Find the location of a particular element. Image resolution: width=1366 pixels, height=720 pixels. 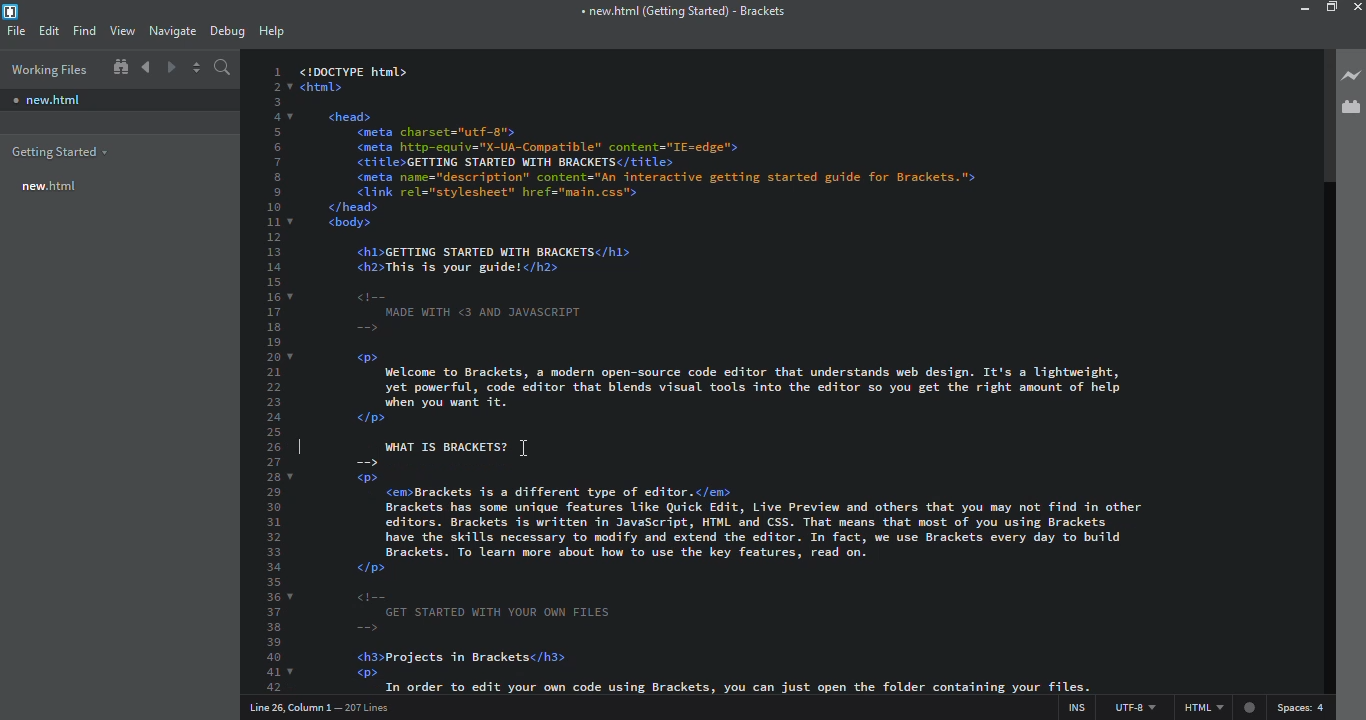

ins is located at coordinates (1070, 704).